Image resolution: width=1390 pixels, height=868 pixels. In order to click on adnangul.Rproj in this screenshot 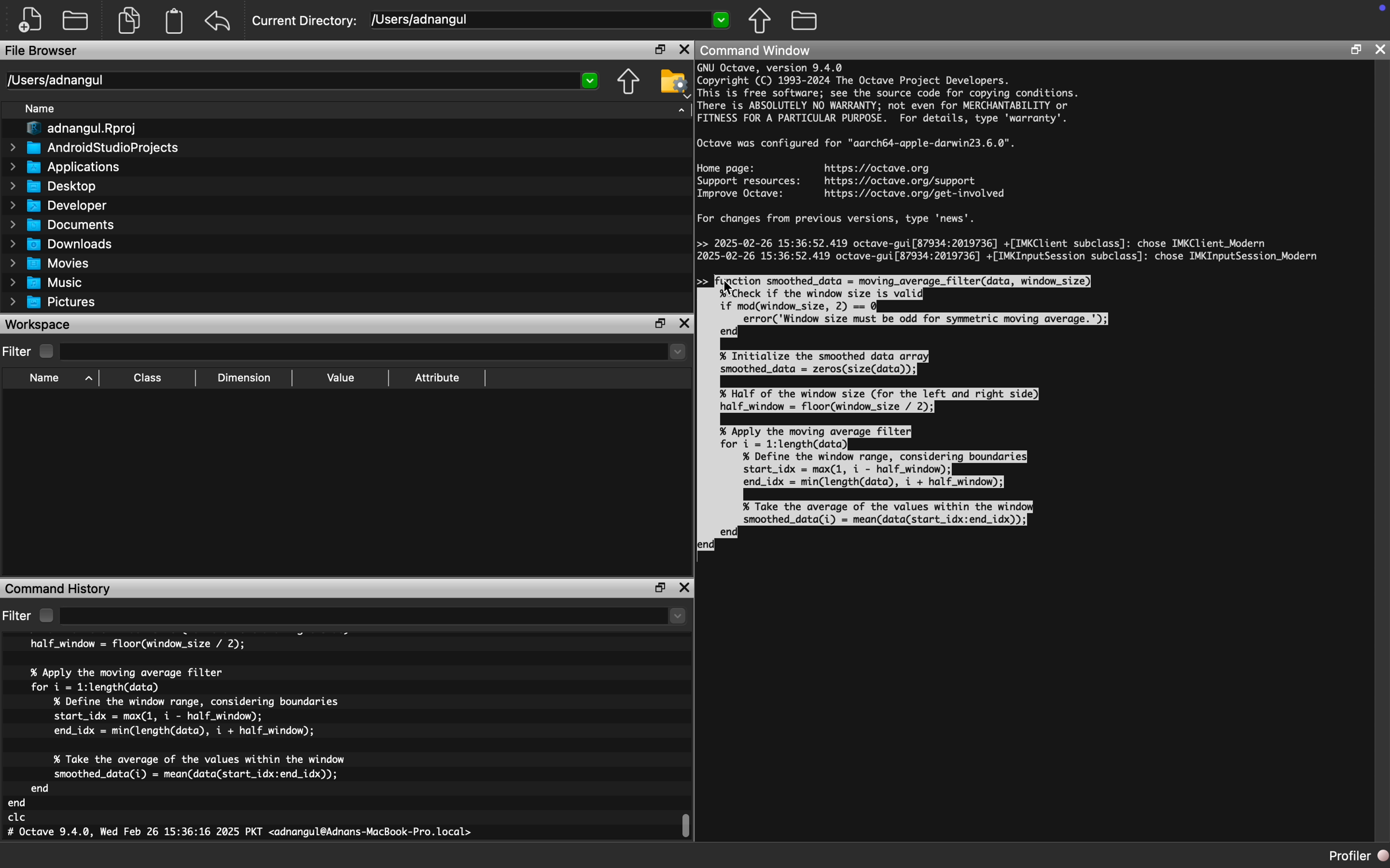, I will do `click(82, 129)`.